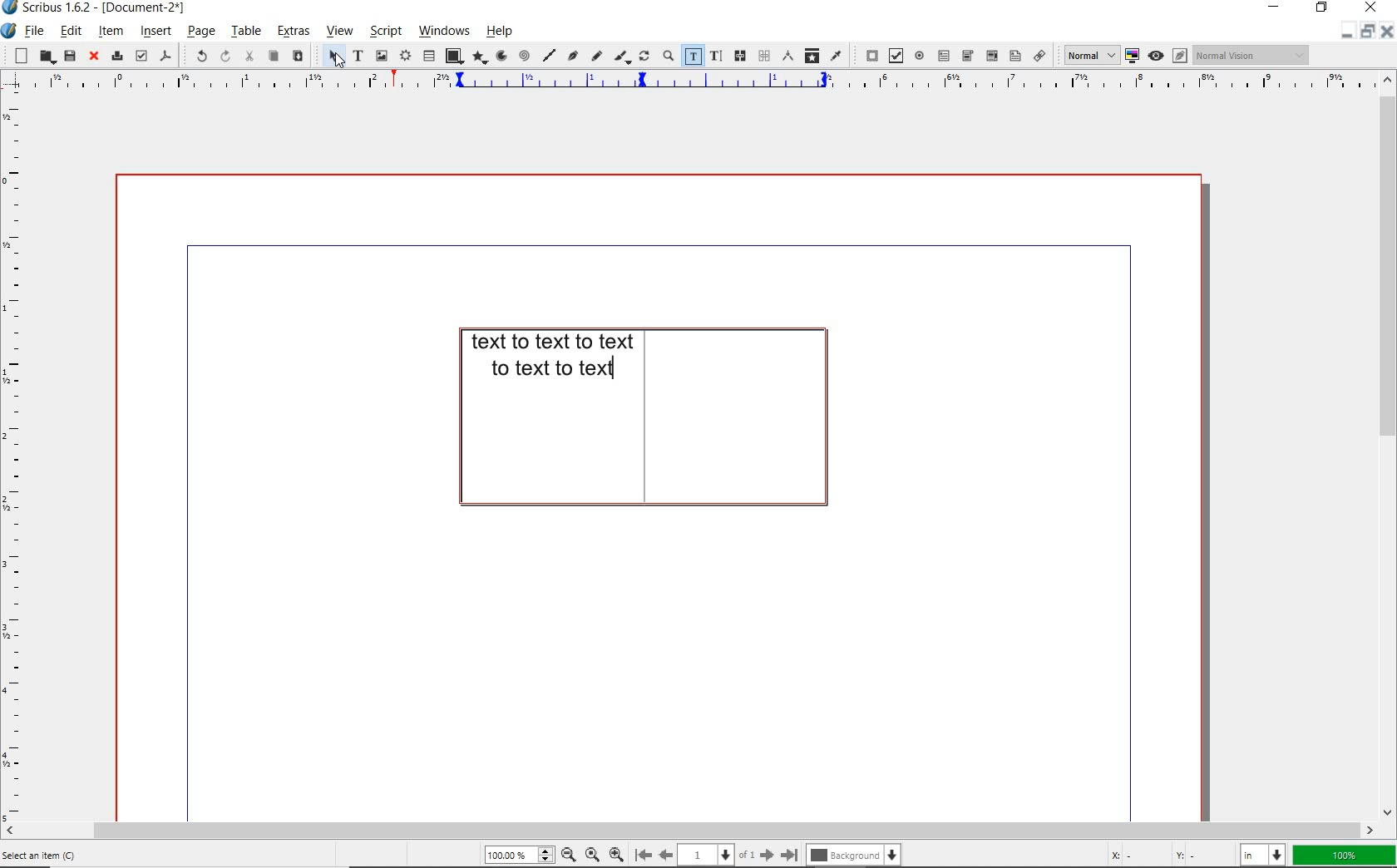  I want to click on zoom level, so click(520, 855).